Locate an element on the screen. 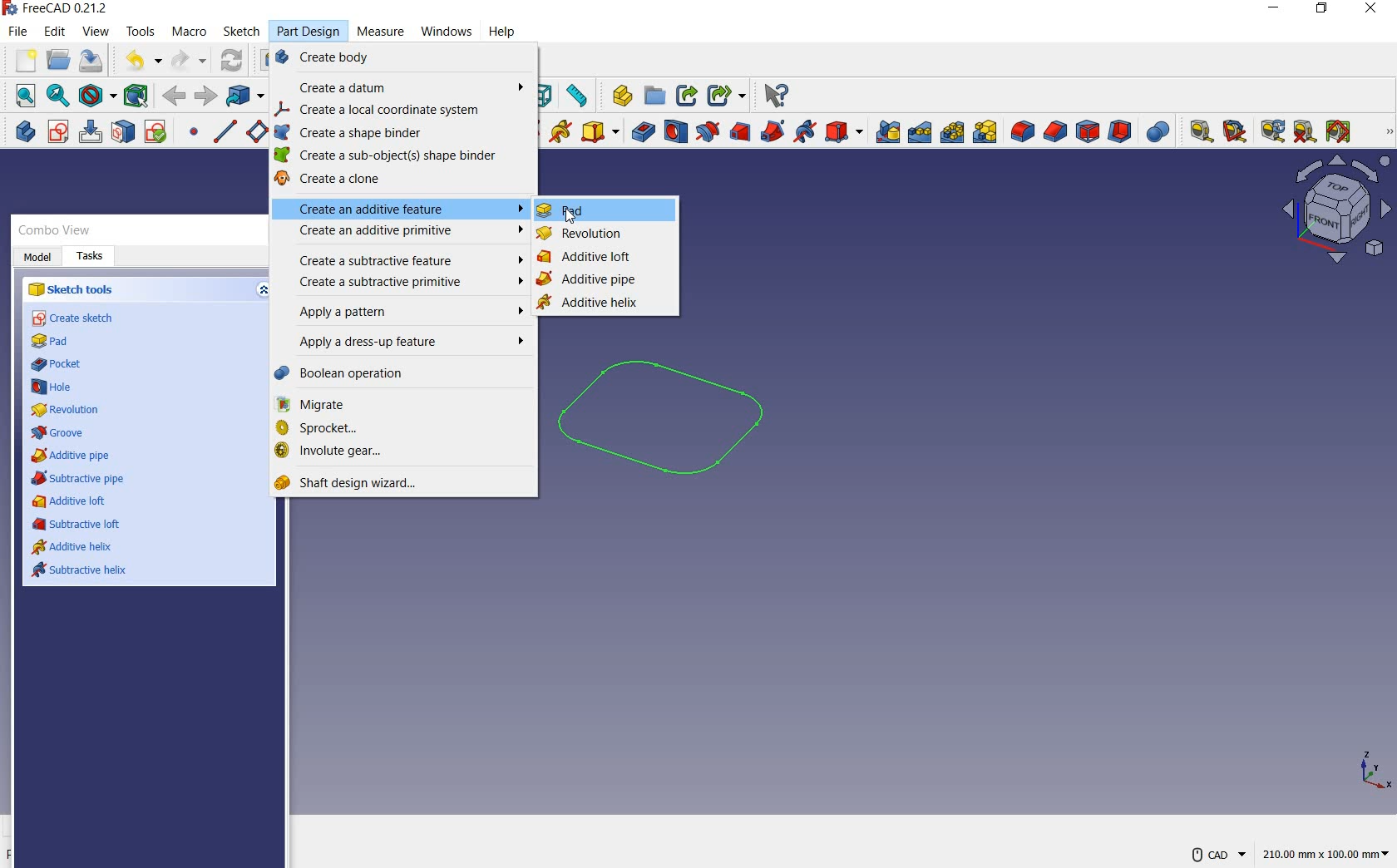 Image resolution: width=1397 pixels, height=868 pixels. measure linear is located at coordinates (1198, 131).